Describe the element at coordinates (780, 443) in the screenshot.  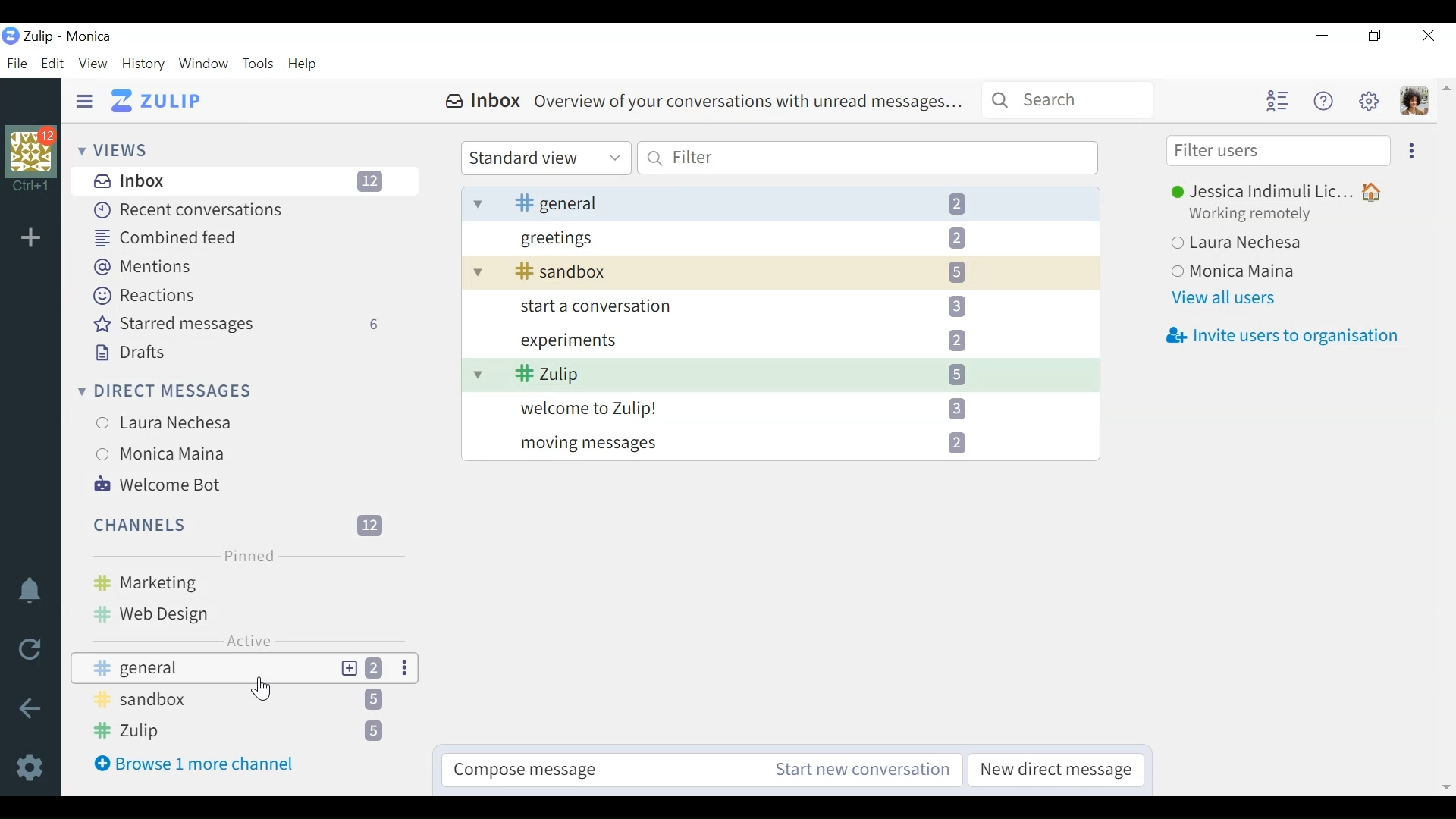
I see `Moving messages 2` at that location.